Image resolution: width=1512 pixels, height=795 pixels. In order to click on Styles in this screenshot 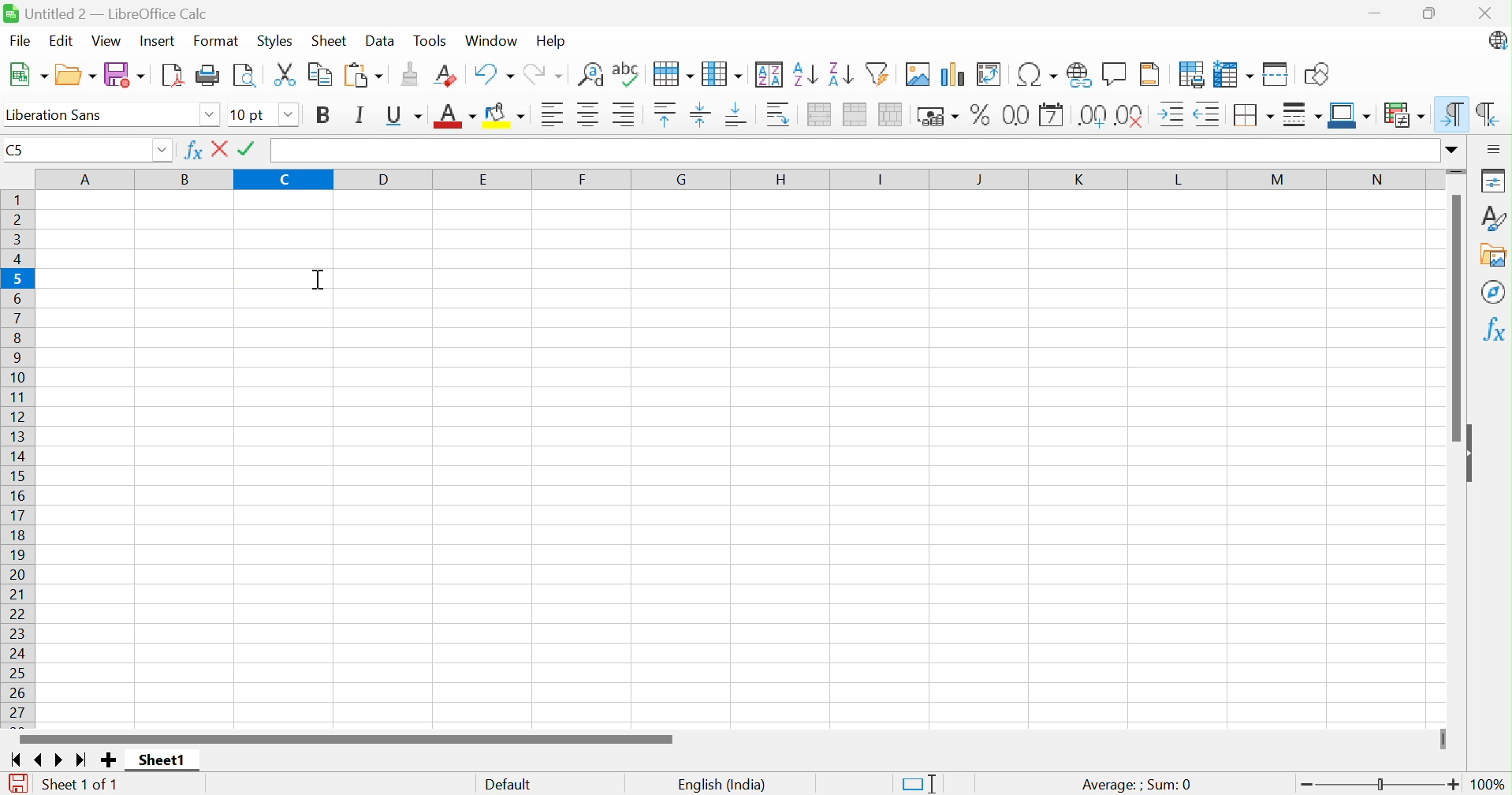, I will do `click(275, 39)`.